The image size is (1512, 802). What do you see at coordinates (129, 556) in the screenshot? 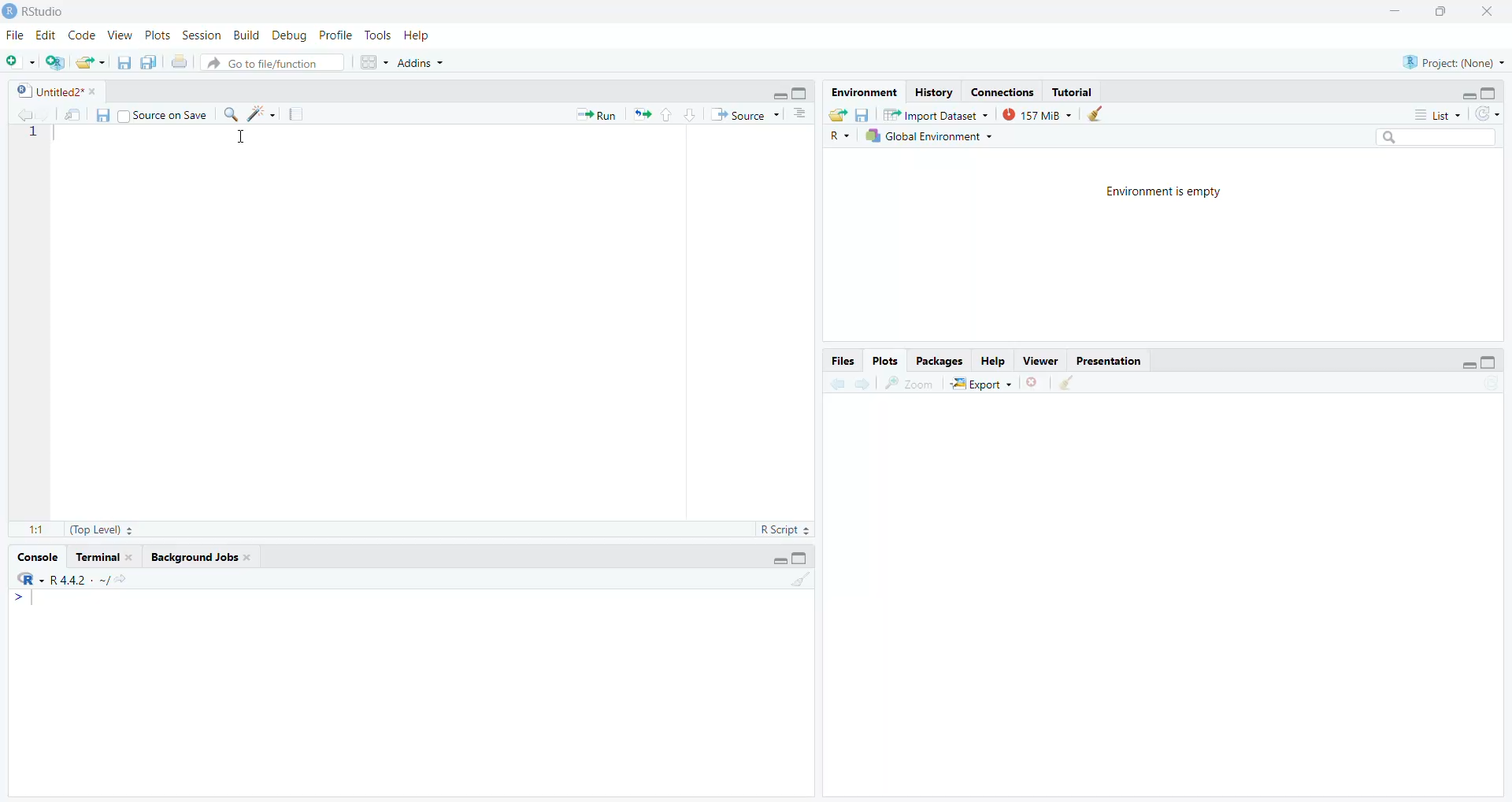
I see `close` at bounding box center [129, 556].